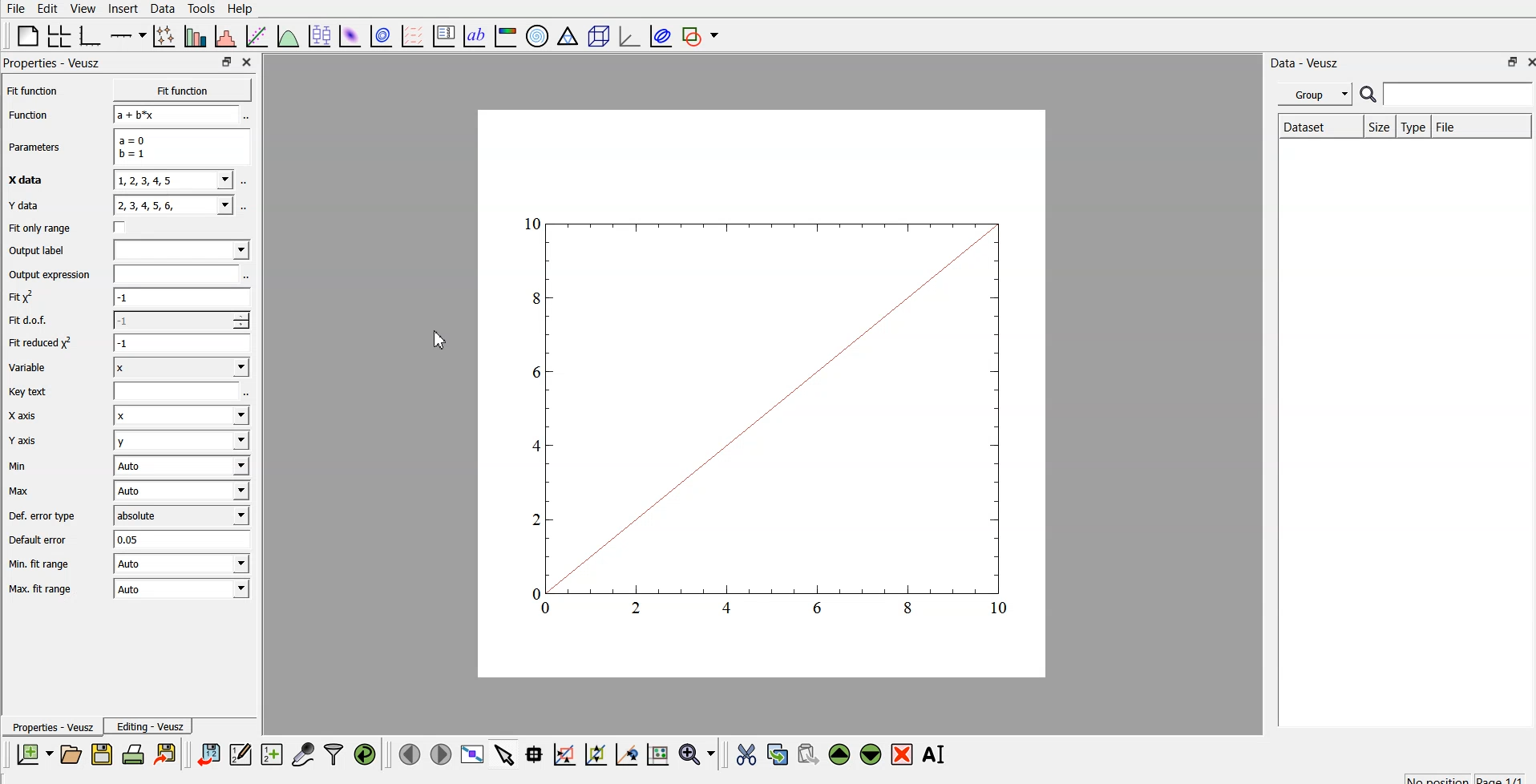 This screenshot has width=1536, height=784. What do you see at coordinates (71, 757) in the screenshot?
I see `open a new document` at bounding box center [71, 757].